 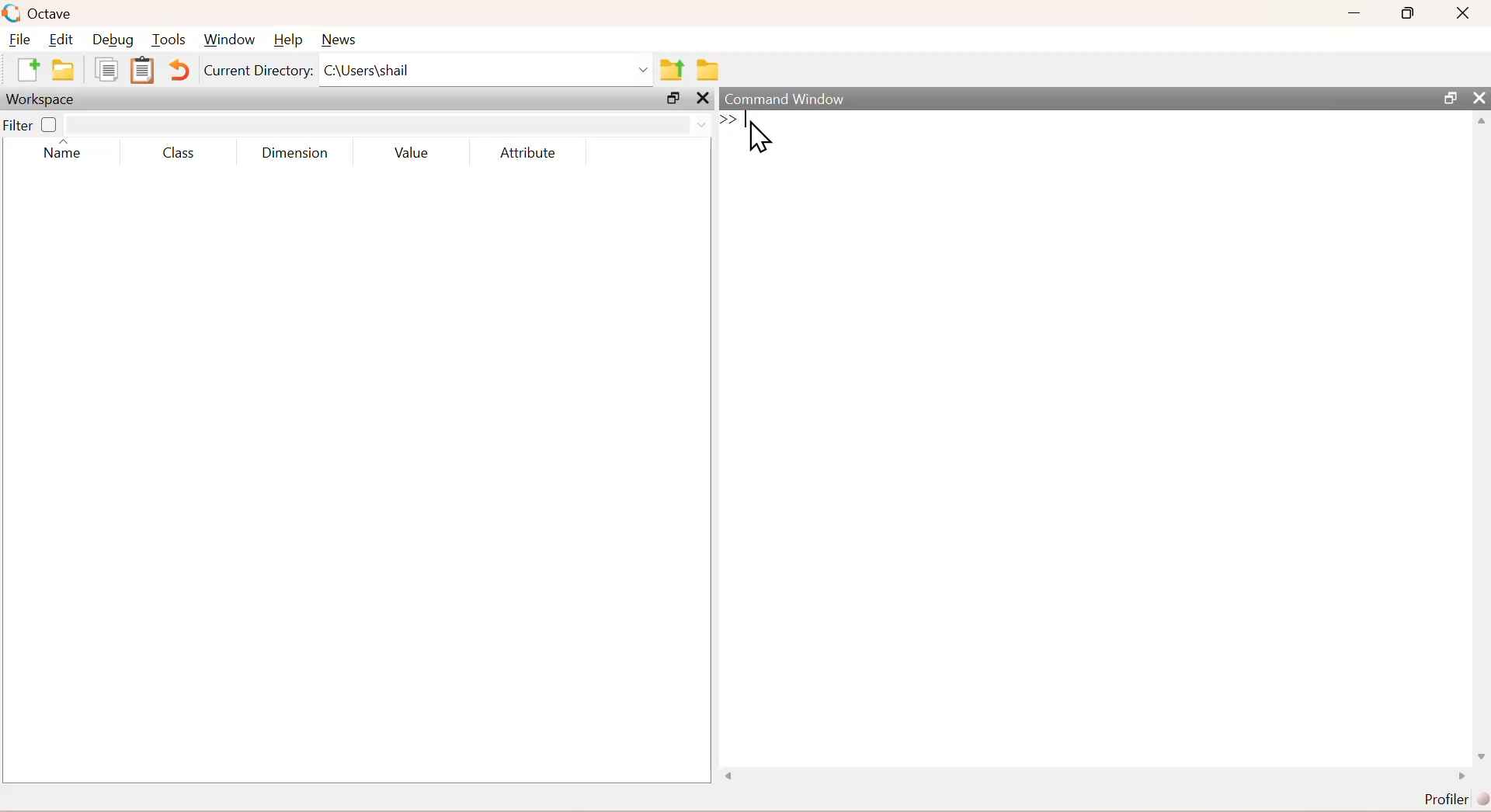 I want to click on Up, so click(x=1482, y=123).